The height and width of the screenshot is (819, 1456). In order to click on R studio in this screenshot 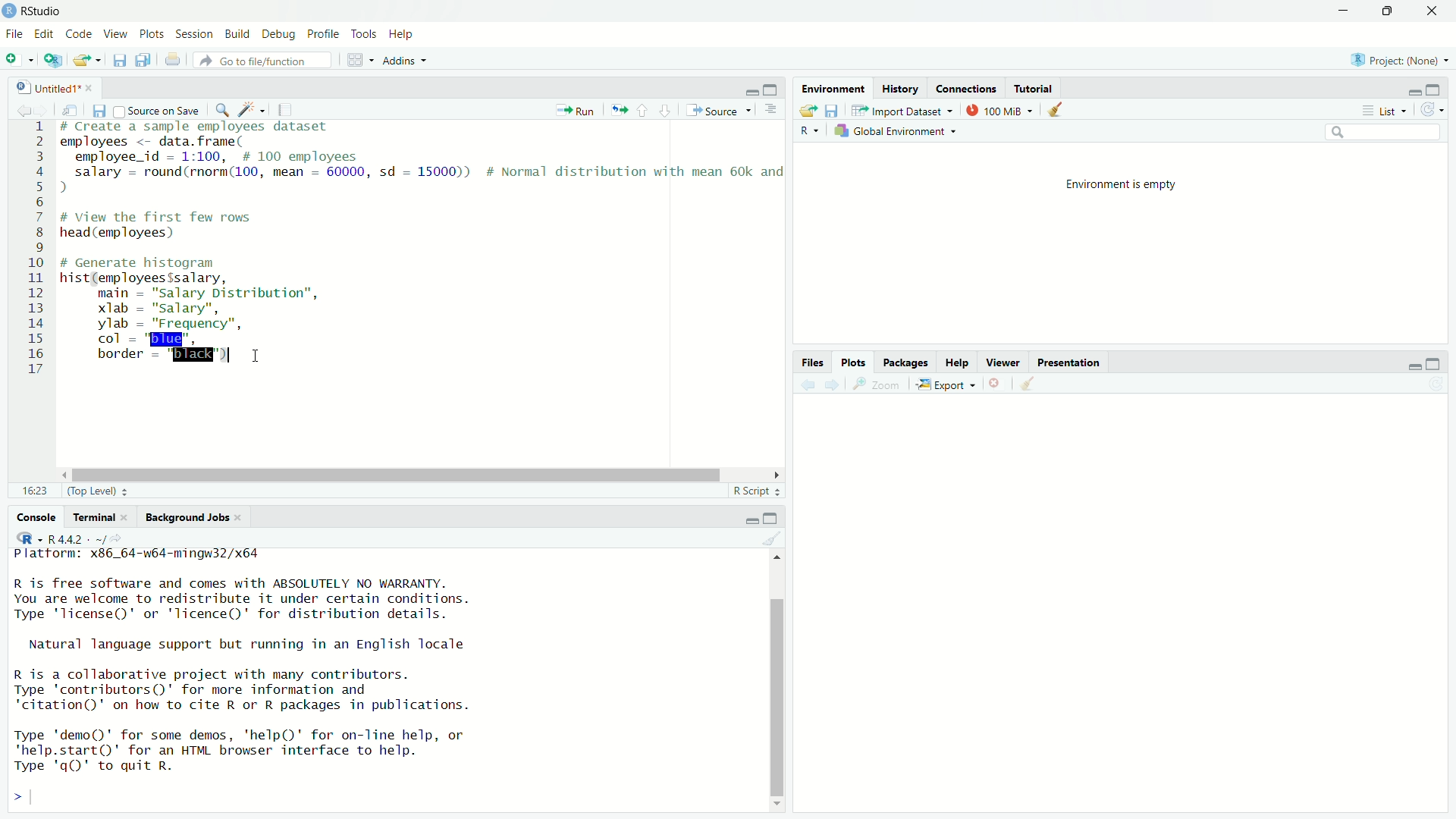, I will do `click(42, 11)`.